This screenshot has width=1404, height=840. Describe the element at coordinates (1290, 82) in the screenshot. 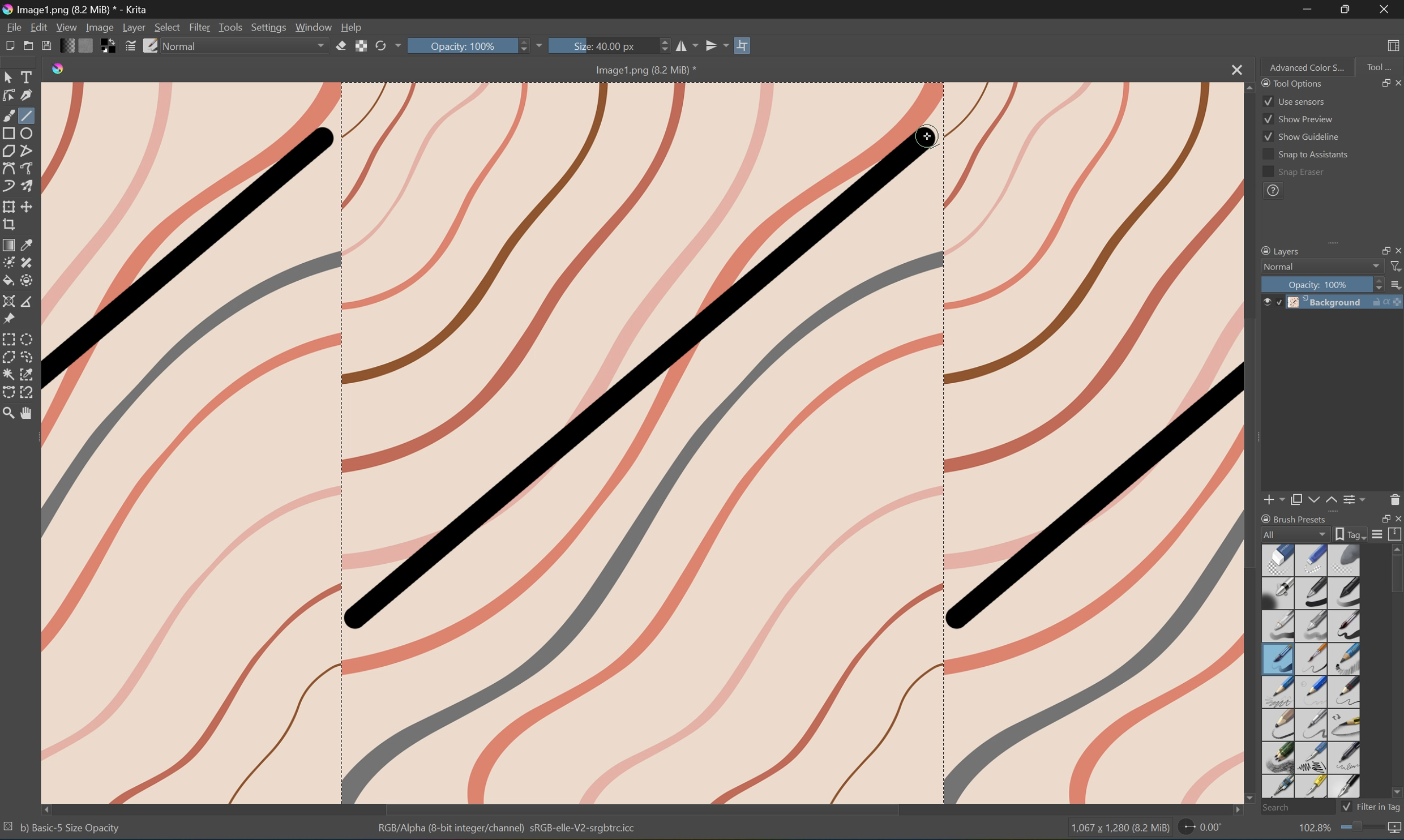

I see `Tool Options` at that location.